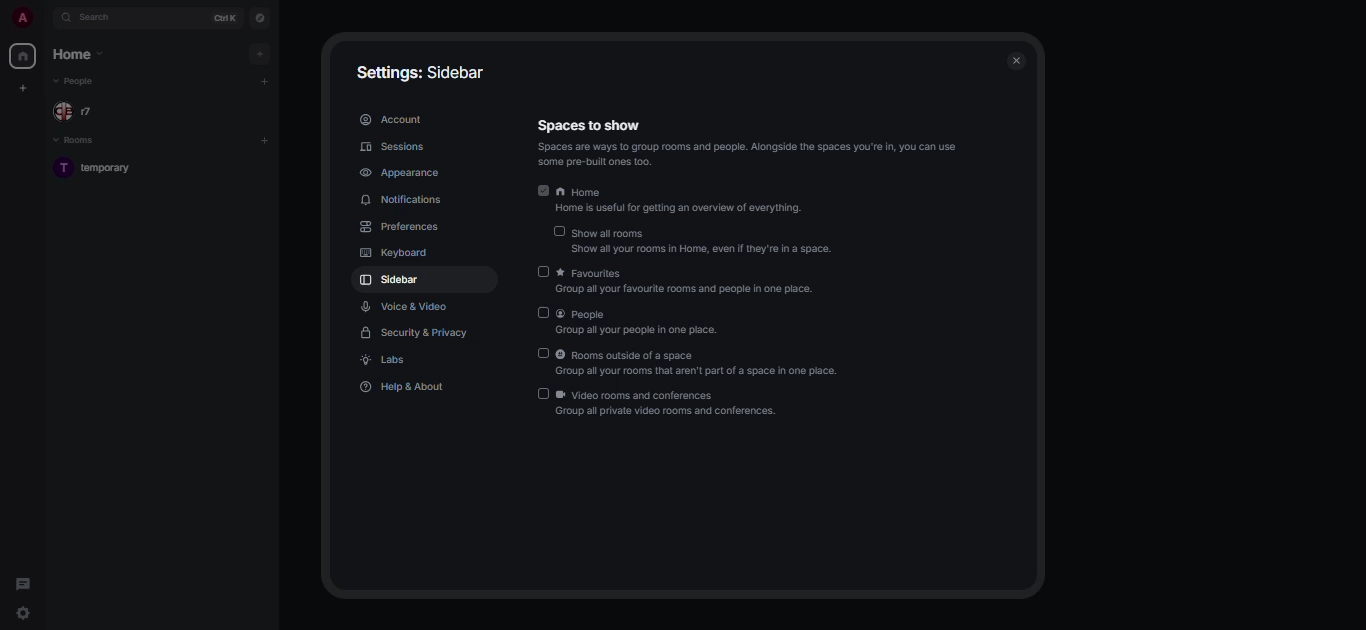  What do you see at coordinates (587, 125) in the screenshot?
I see `spaces to show` at bounding box center [587, 125].